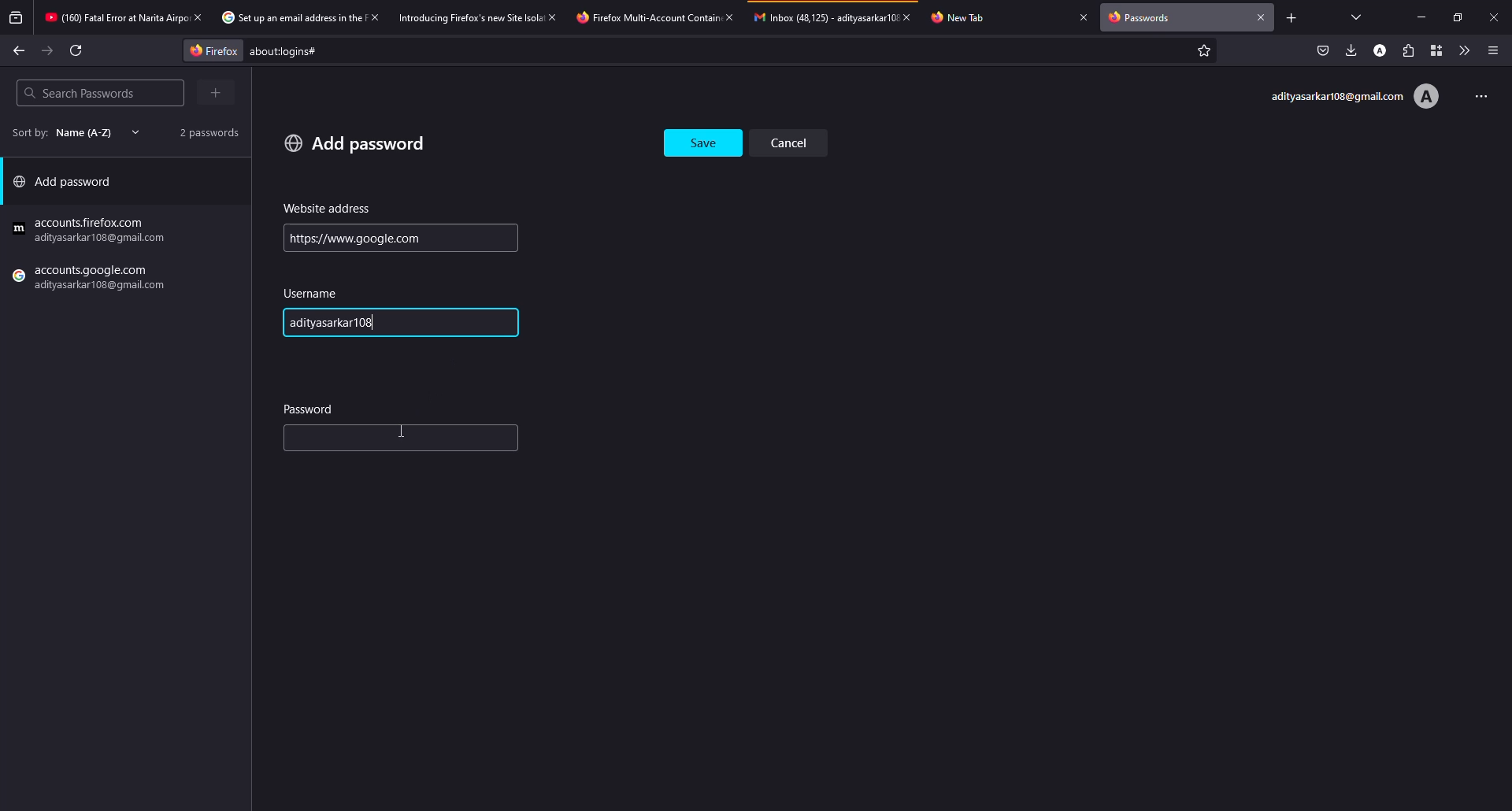 The image size is (1512, 811). Describe the element at coordinates (17, 18) in the screenshot. I see `view recent` at that location.